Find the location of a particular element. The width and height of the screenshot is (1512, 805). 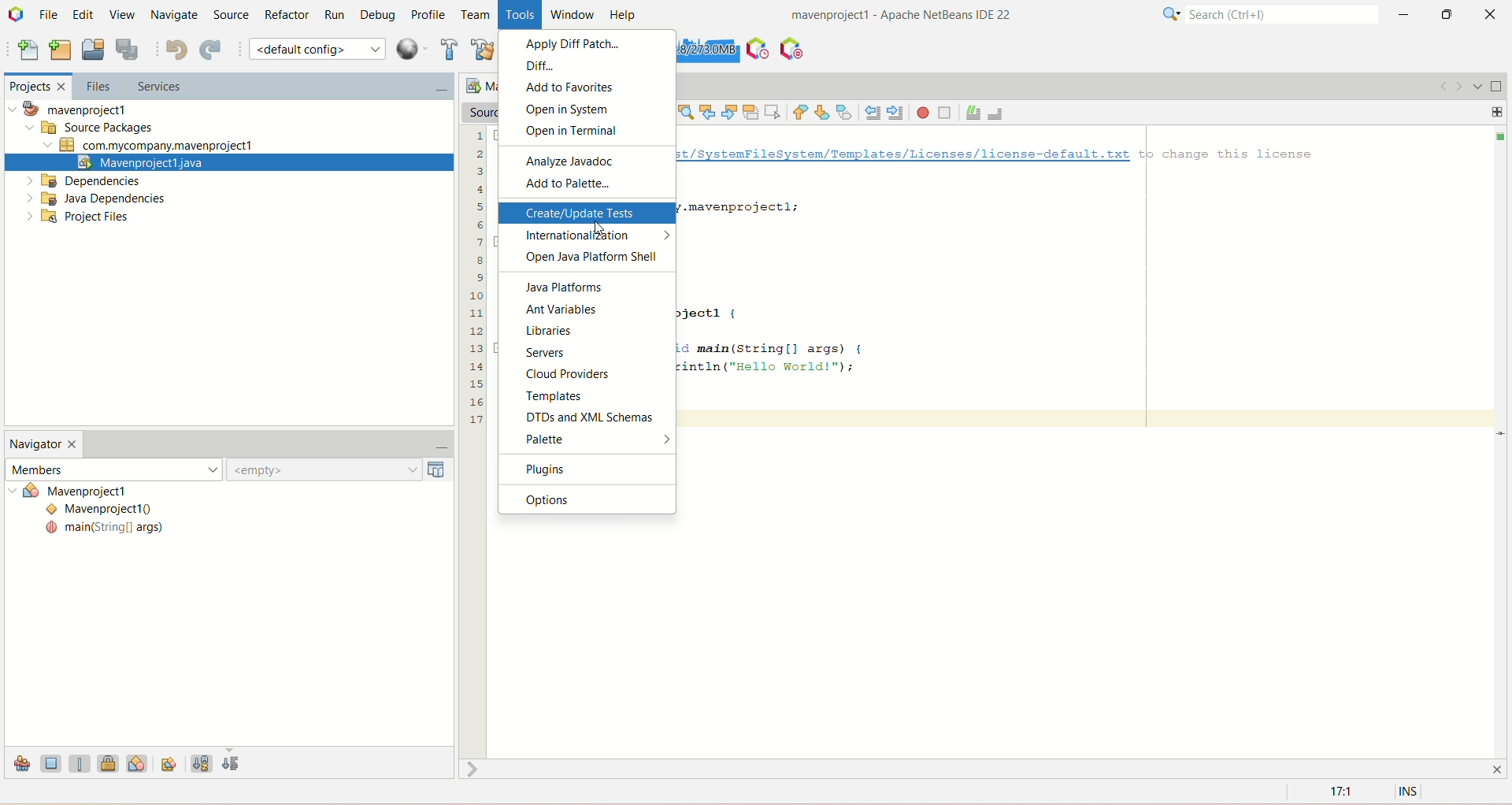

internalization is located at coordinates (587, 237).